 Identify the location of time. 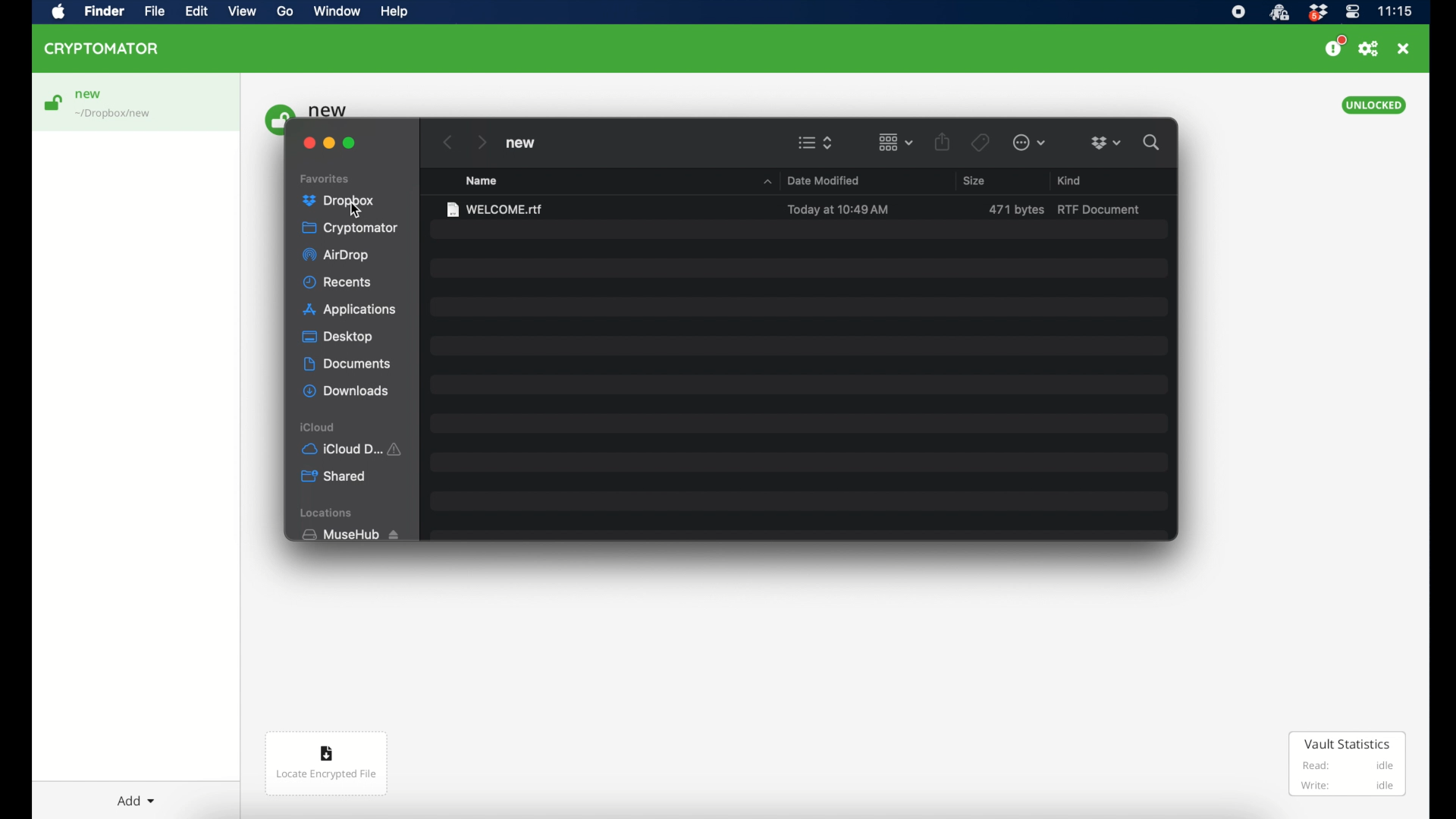
(1395, 11).